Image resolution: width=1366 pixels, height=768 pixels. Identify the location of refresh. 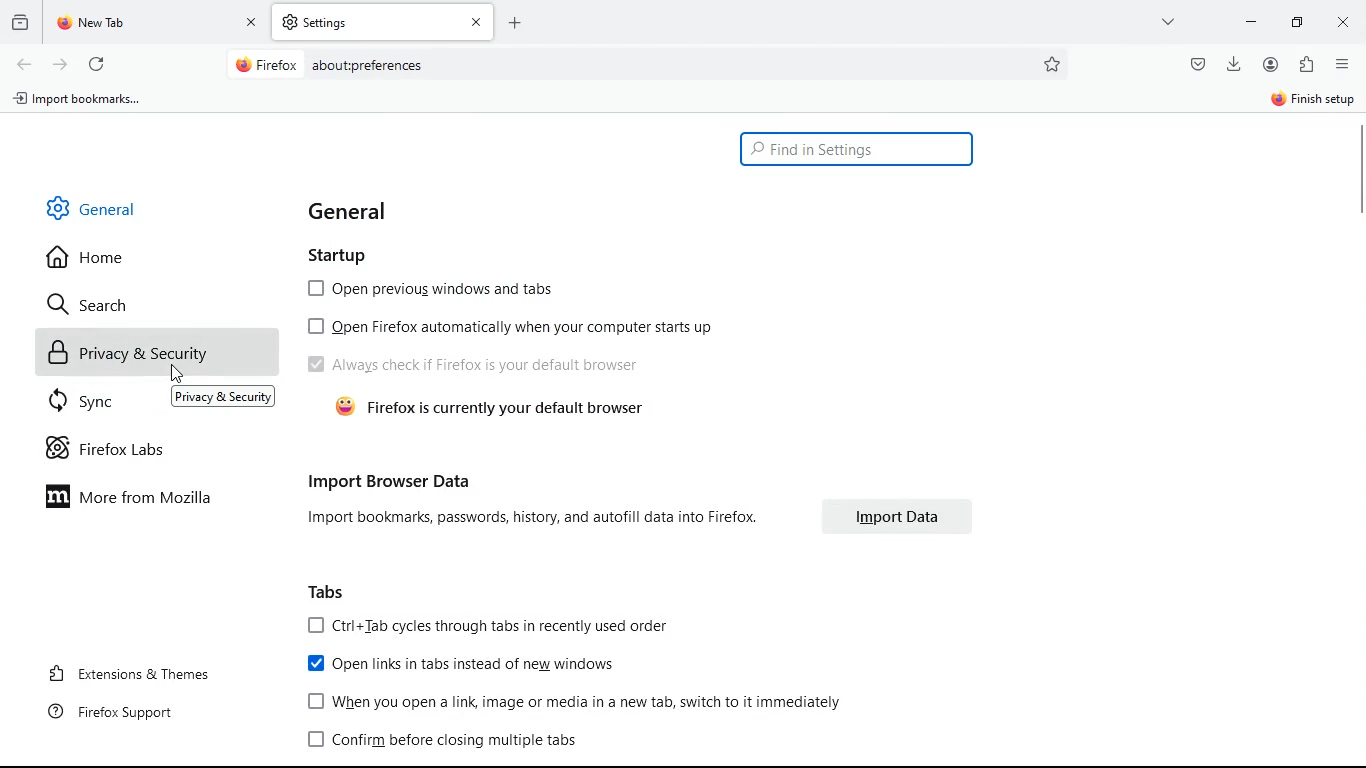
(96, 61).